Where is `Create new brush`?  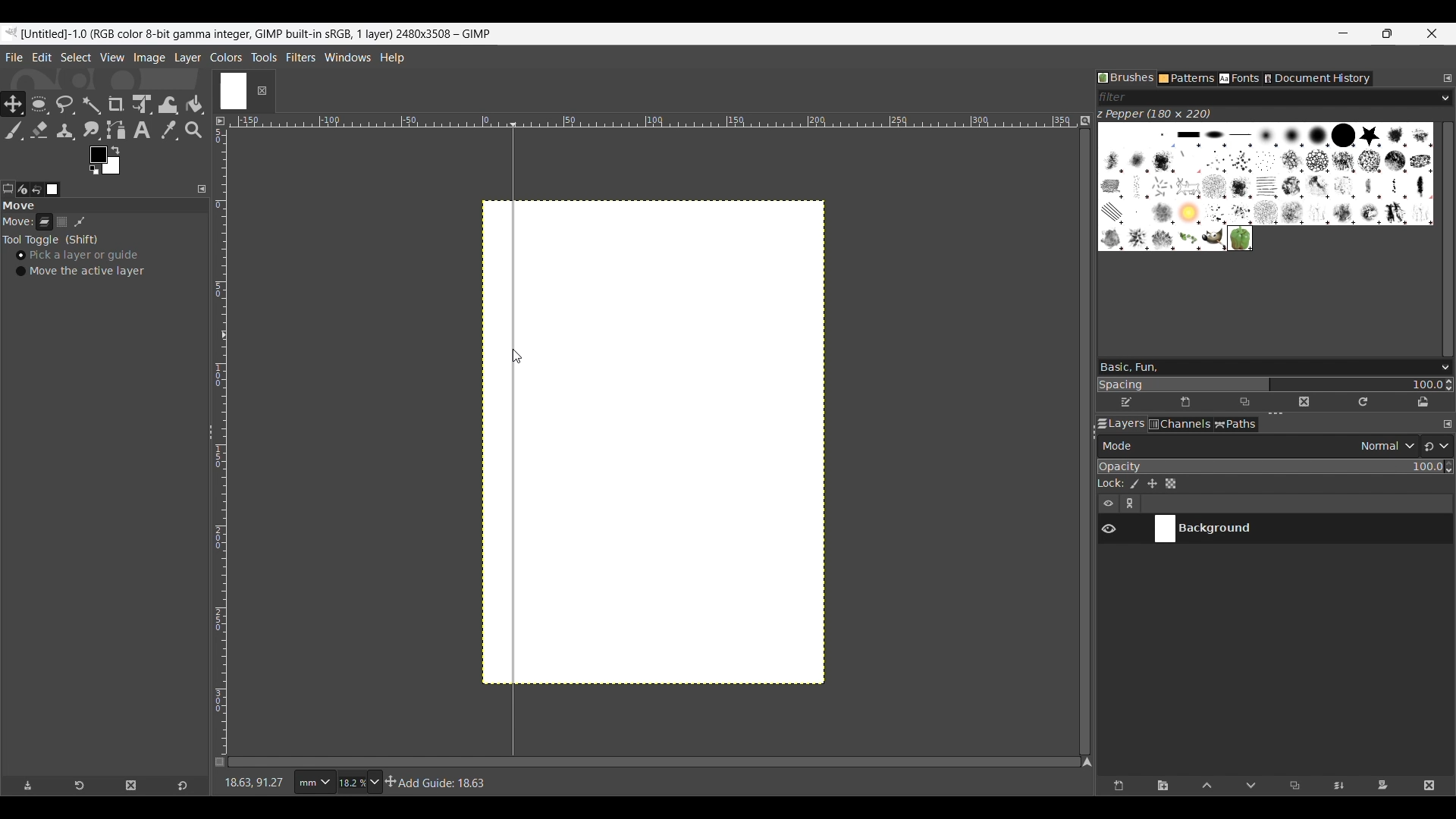 Create new brush is located at coordinates (1185, 403).